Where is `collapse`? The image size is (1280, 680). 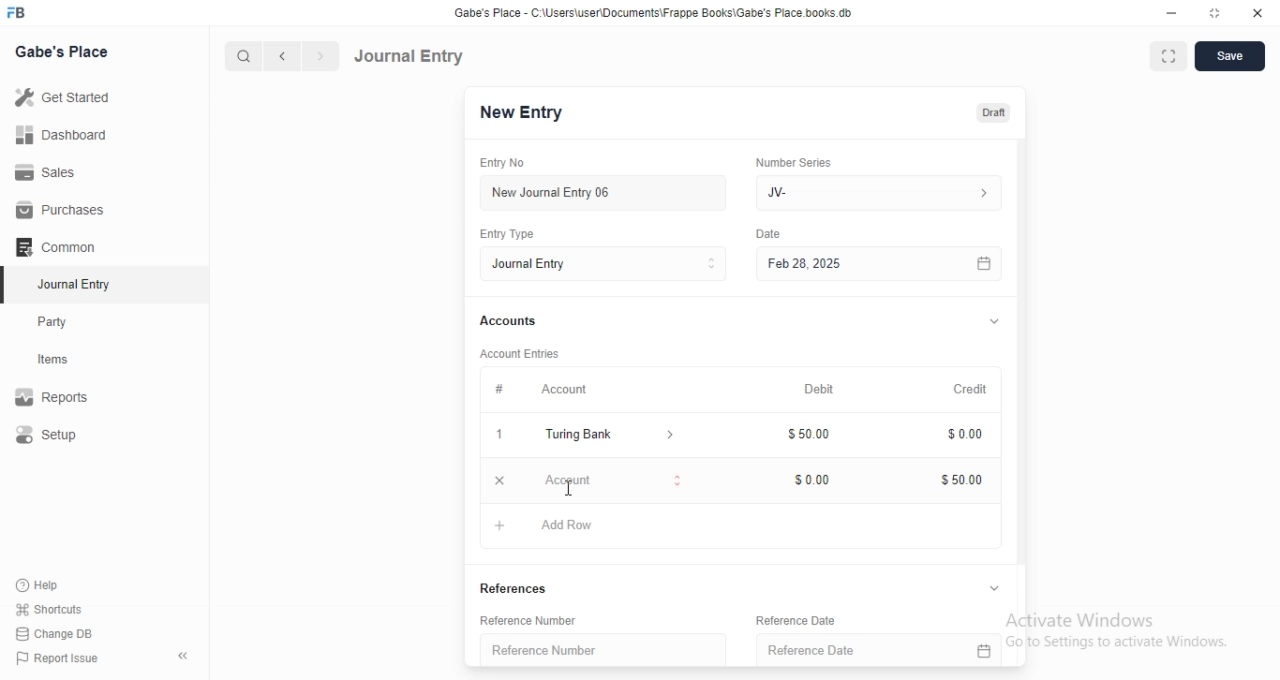
collapse is located at coordinates (995, 588).